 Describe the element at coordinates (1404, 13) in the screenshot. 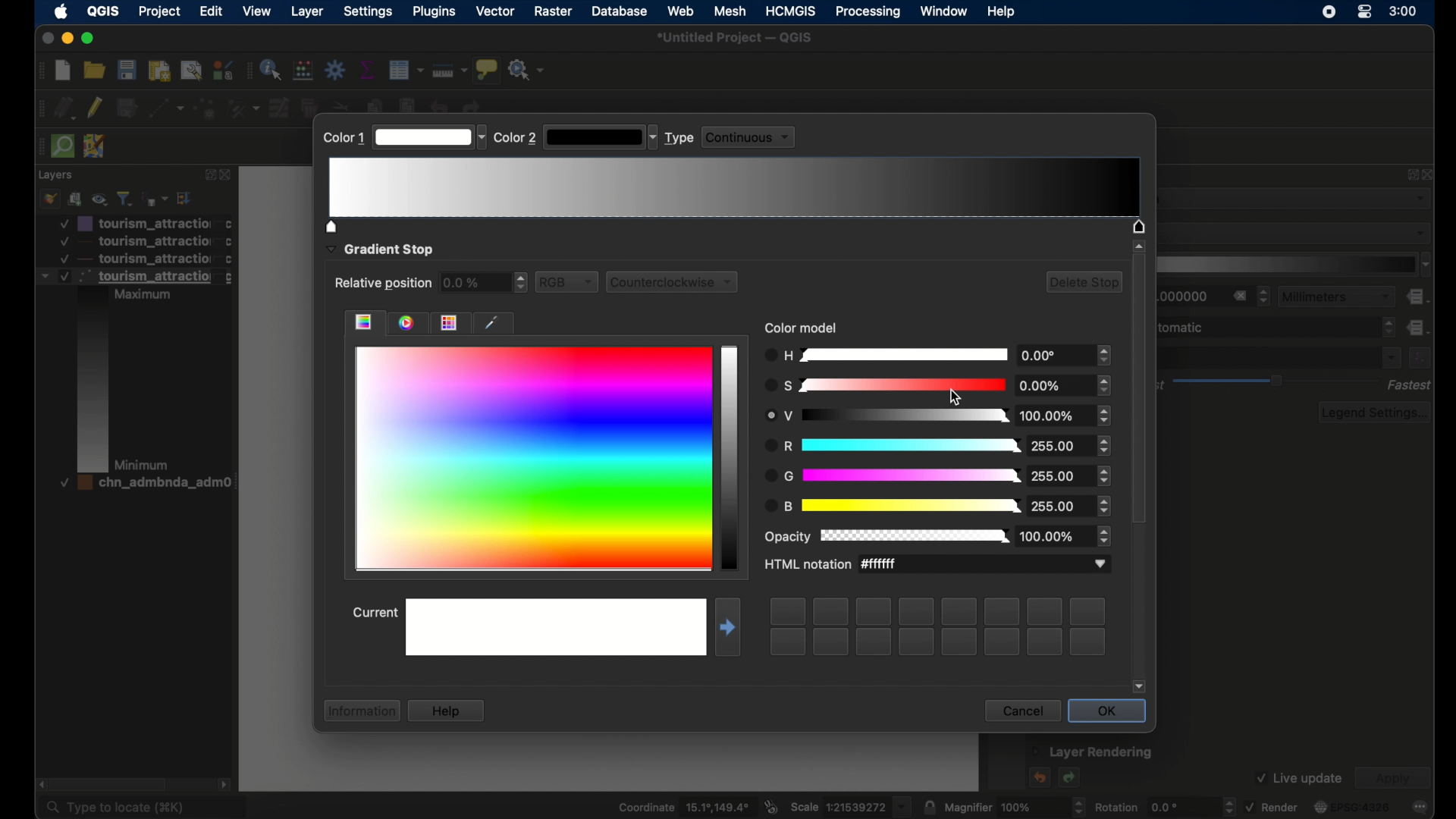

I see `time` at that location.